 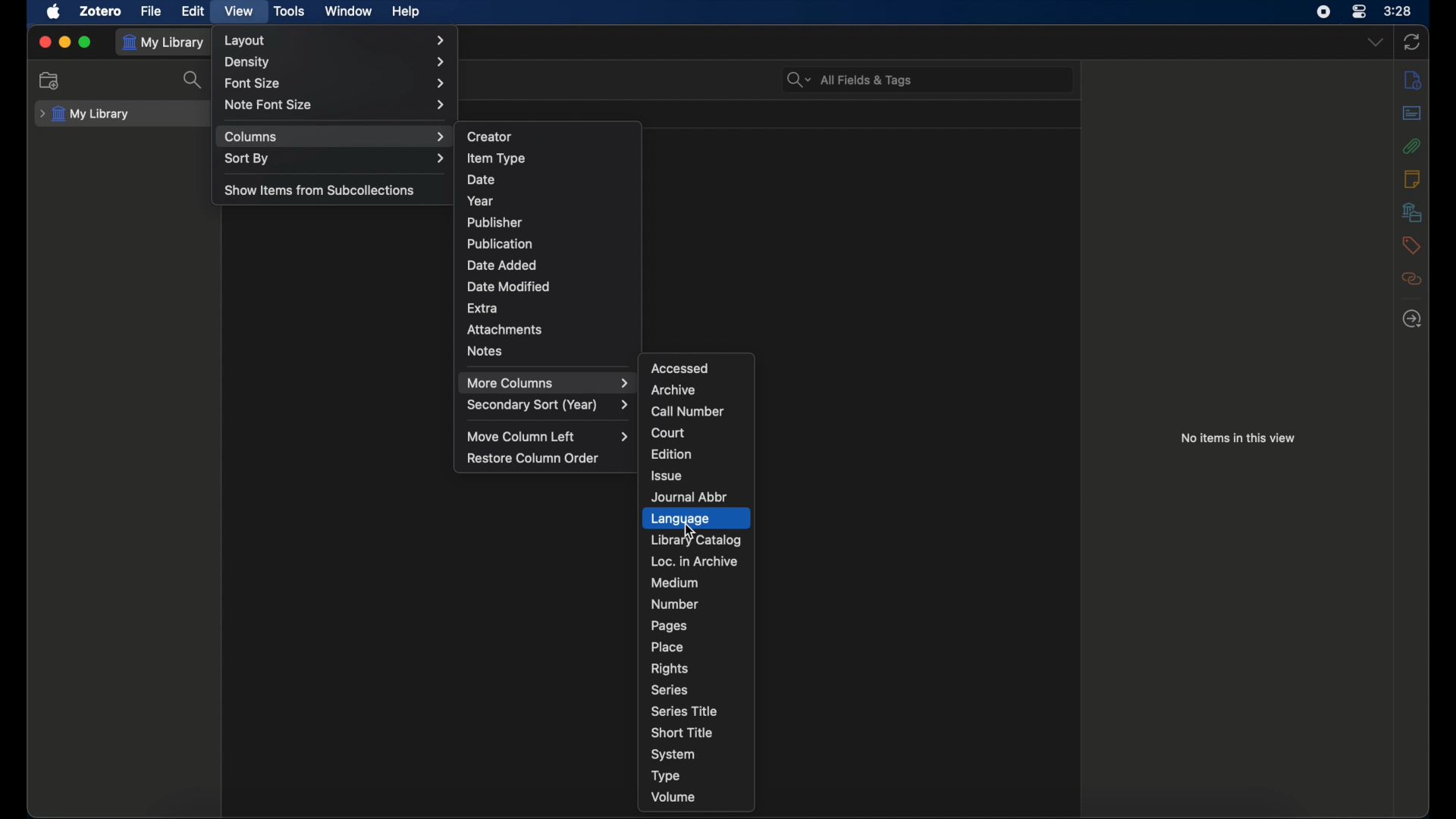 What do you see at coordinates (320, 190) in the screenshot?
I see `show items from subcollections` at bounding box center [320, 190].